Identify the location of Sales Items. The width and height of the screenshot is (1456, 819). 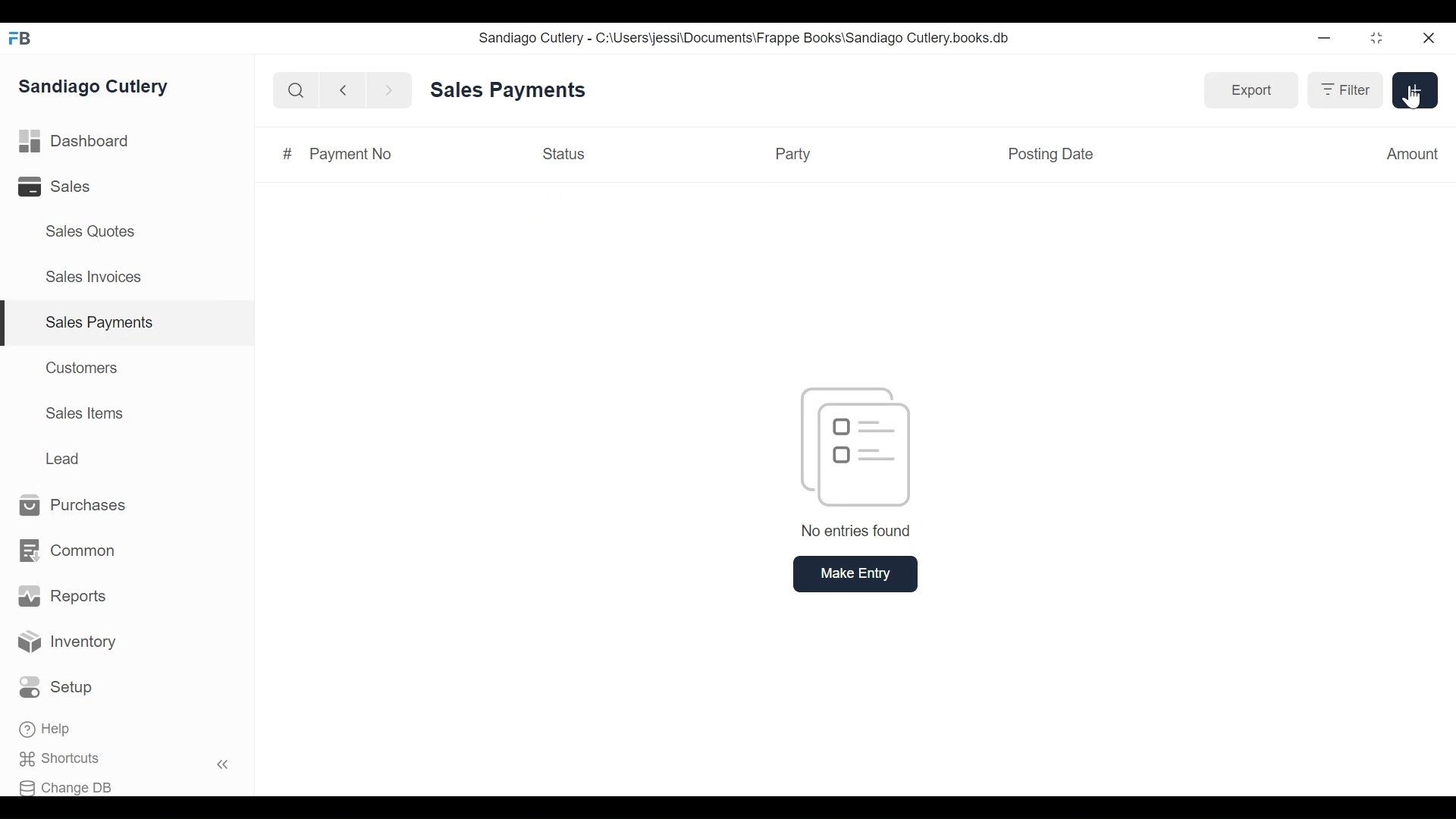
(85, 413).